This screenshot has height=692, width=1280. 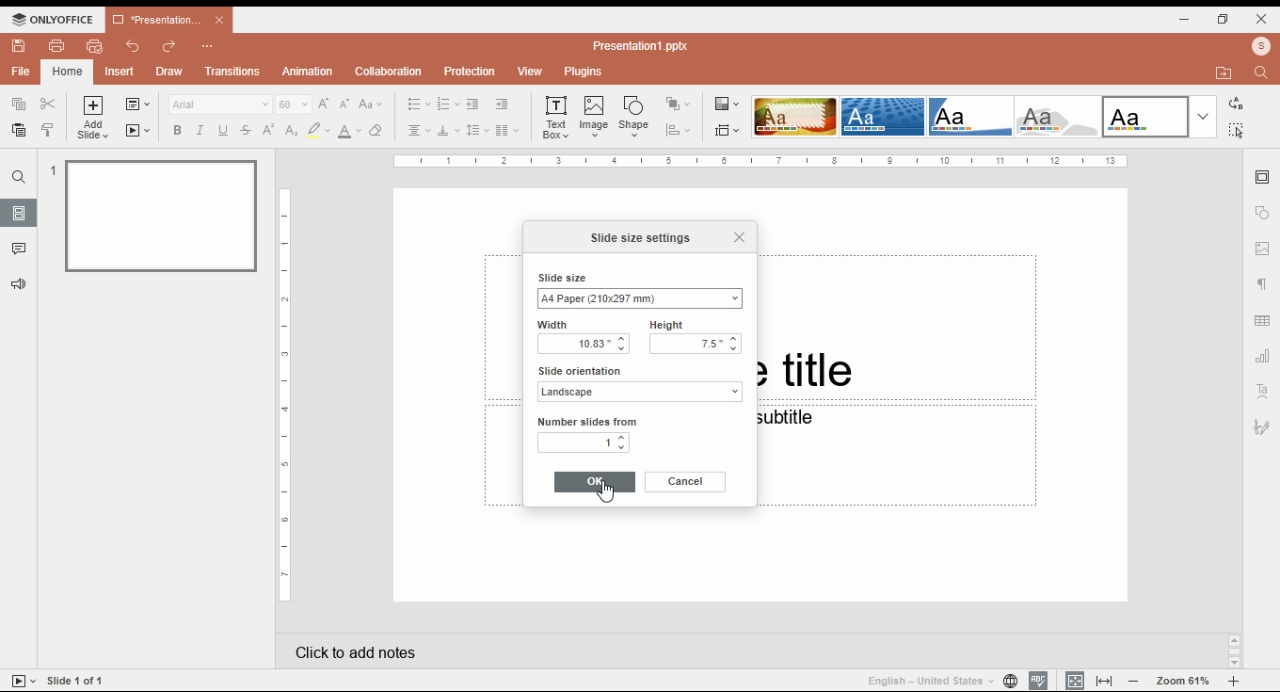 I want to click on erase, so click(x=377, y=131).